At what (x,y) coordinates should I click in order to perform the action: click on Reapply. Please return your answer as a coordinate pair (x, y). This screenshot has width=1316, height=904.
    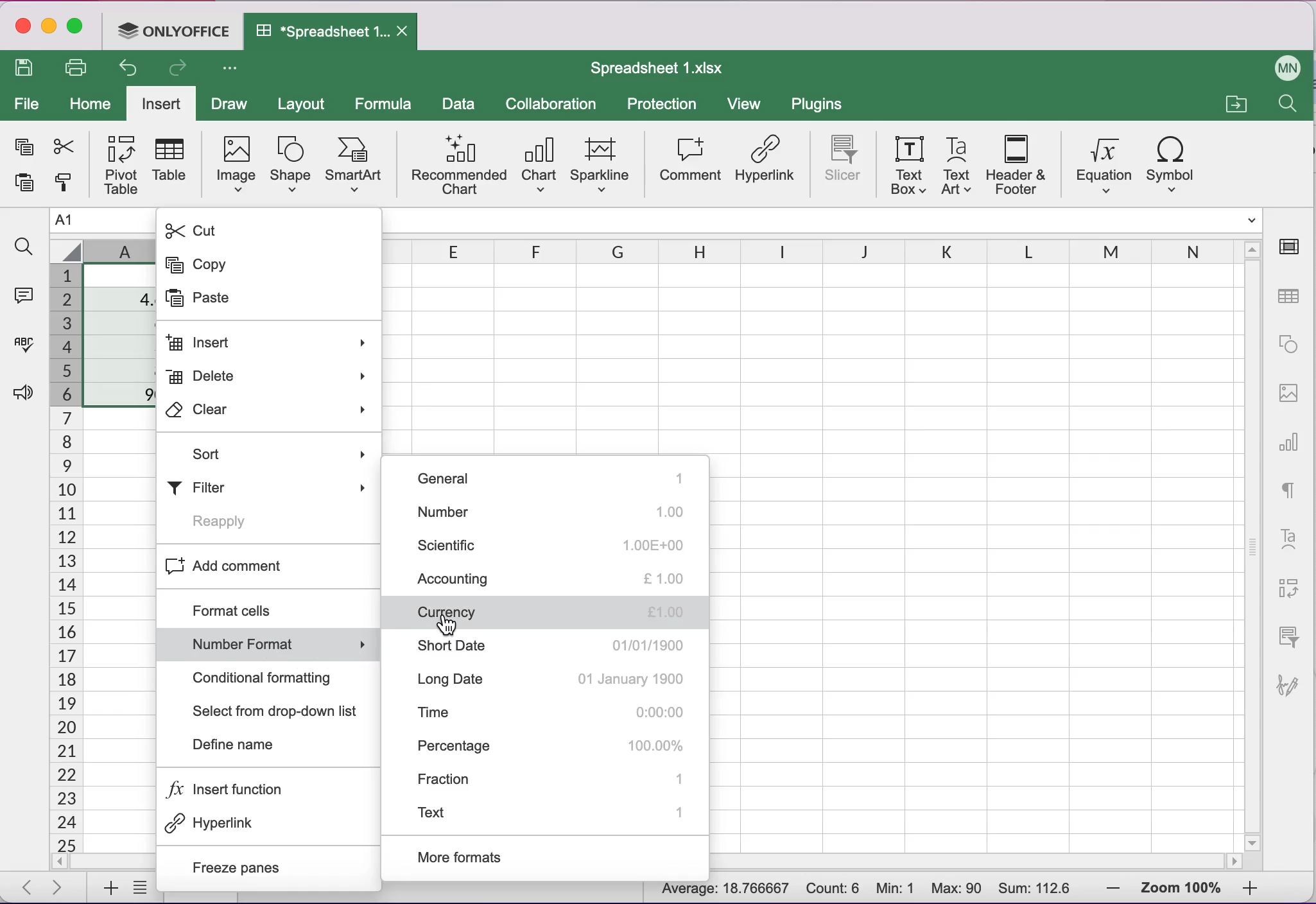
    Looking at the image, I should click on (246, 520).